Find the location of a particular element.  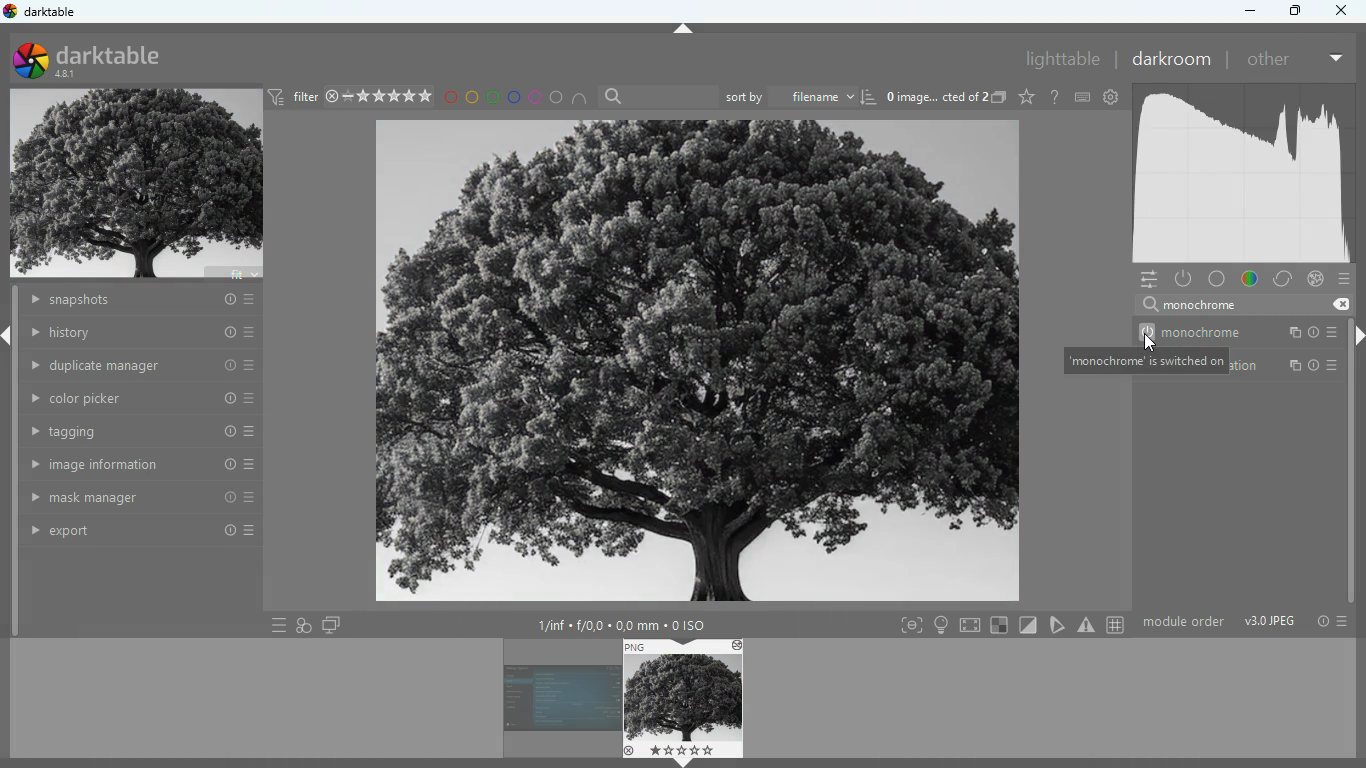

search is located at coordinates (1192, 303).